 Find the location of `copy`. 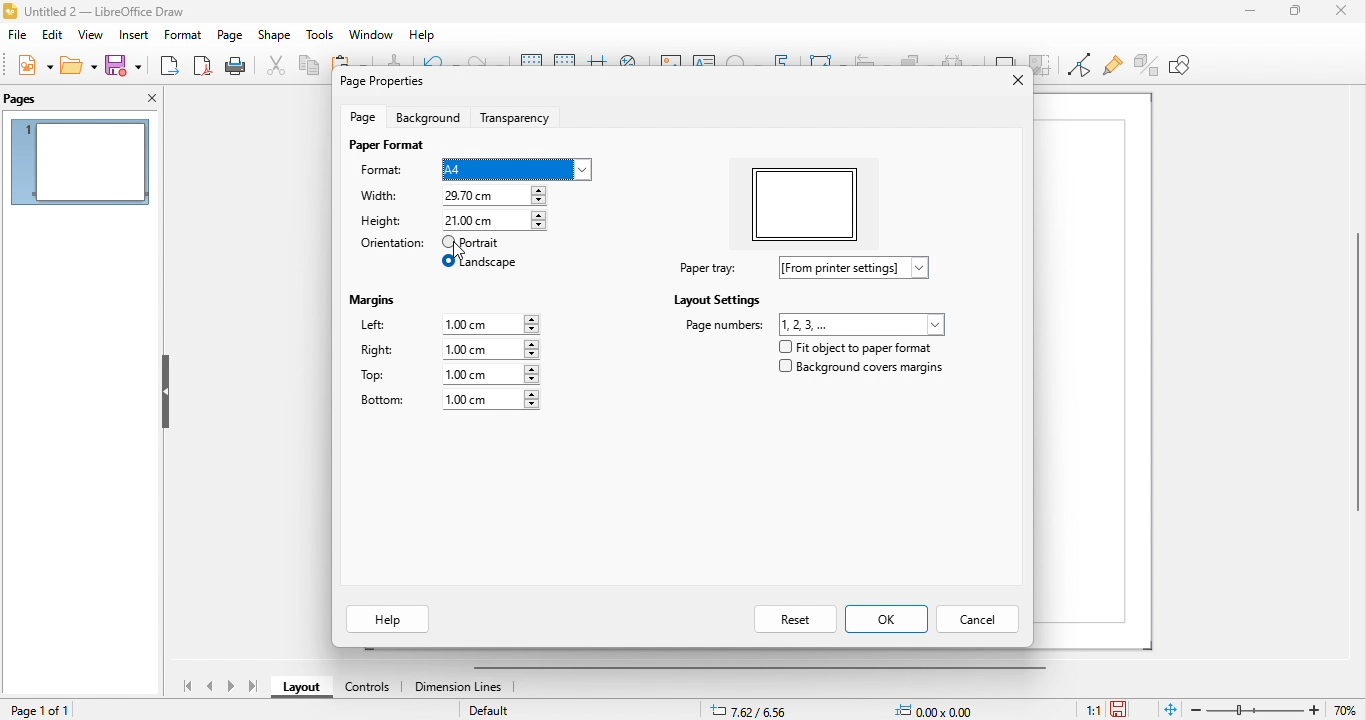

copy is located at coordinates (311, 67).